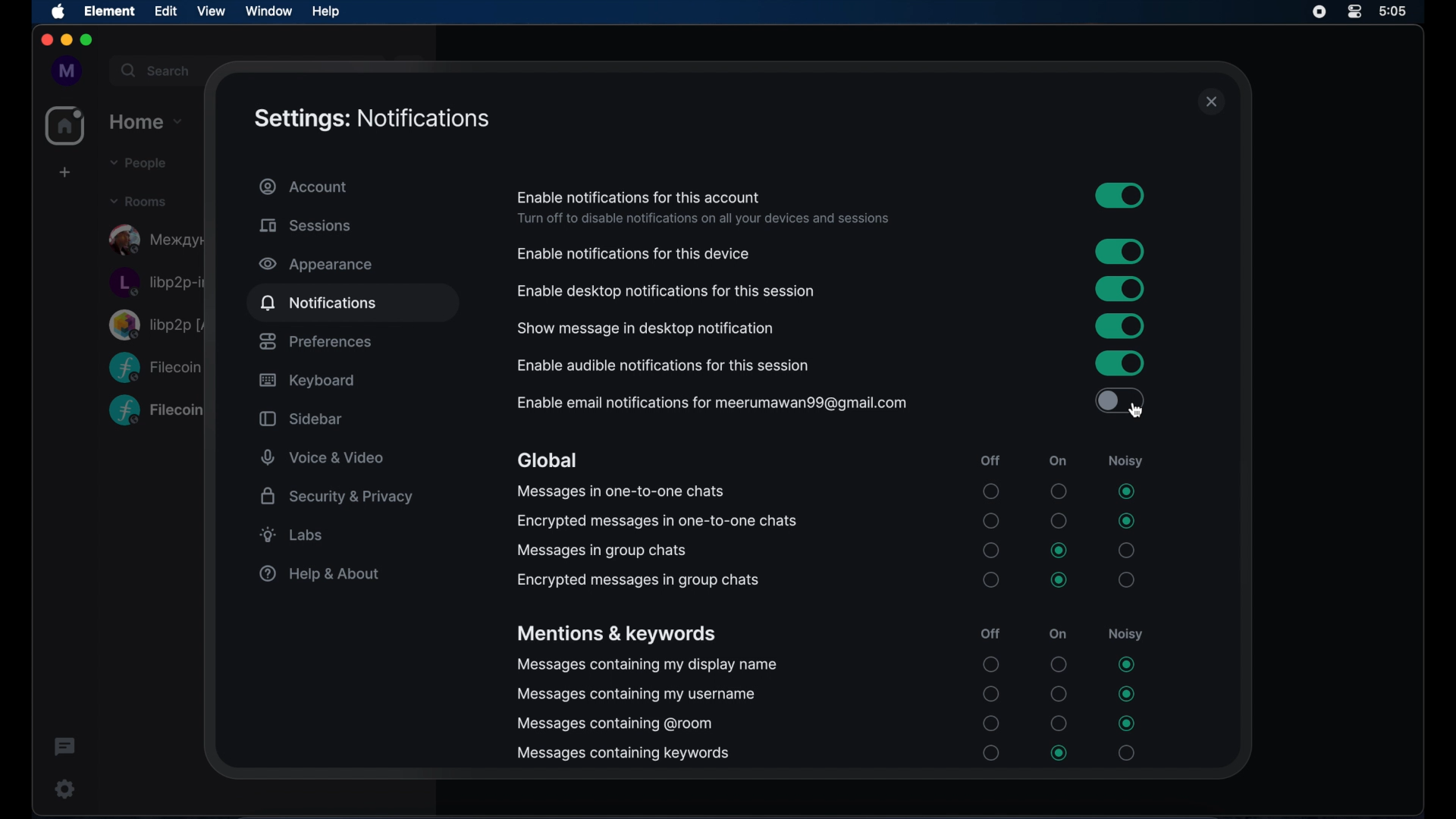 The width and height of the screenshot is (1456, 819). I want to click on radio button, so click(991, 752).